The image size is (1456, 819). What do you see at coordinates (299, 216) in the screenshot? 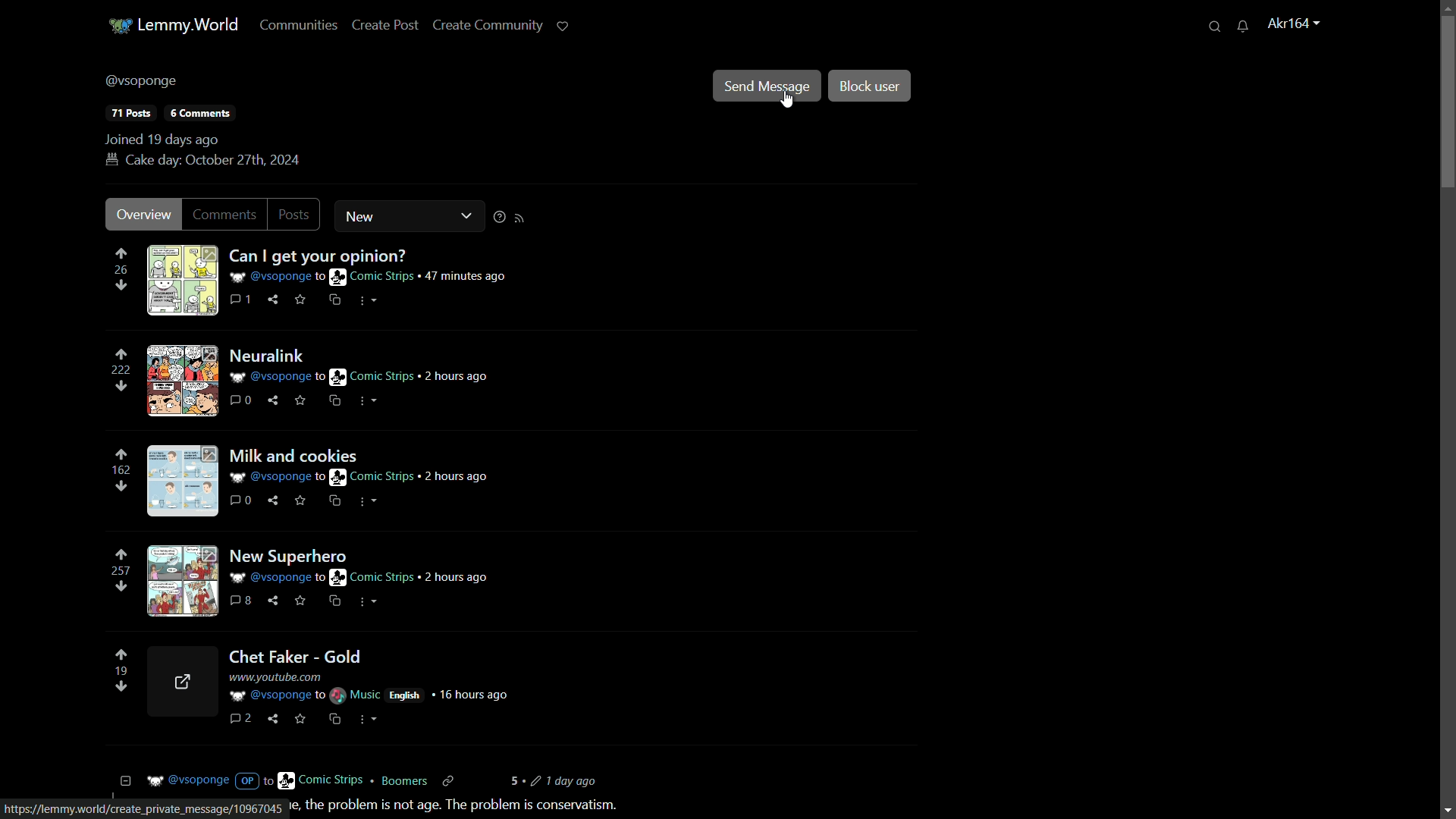
I see `posts` at bounding box center [299, 216].